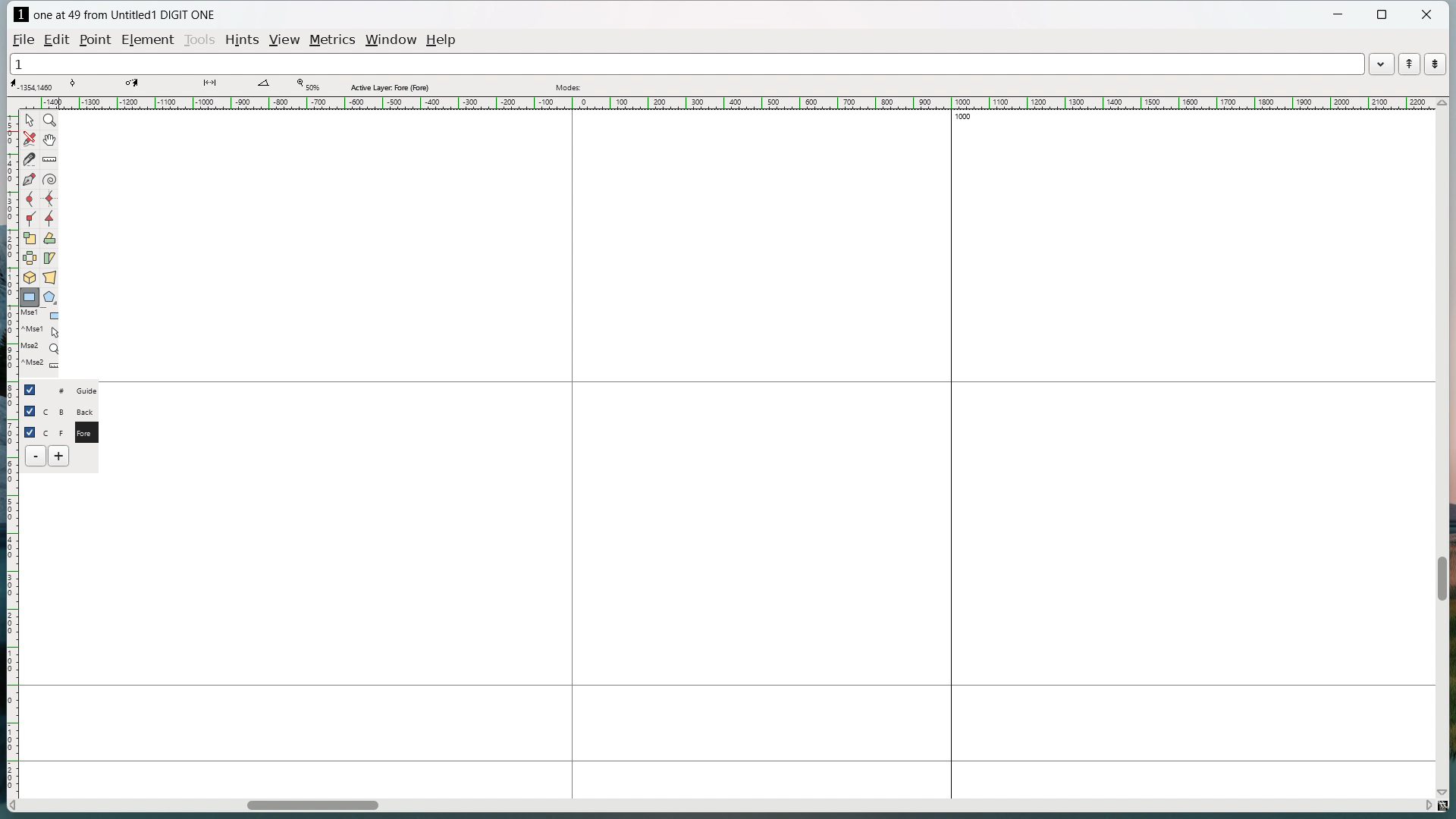 This screenshot has height=819, width=1456. Describe the element at coordinates (50, 180) in the screenshot. I see `toggle spiral` at that location.